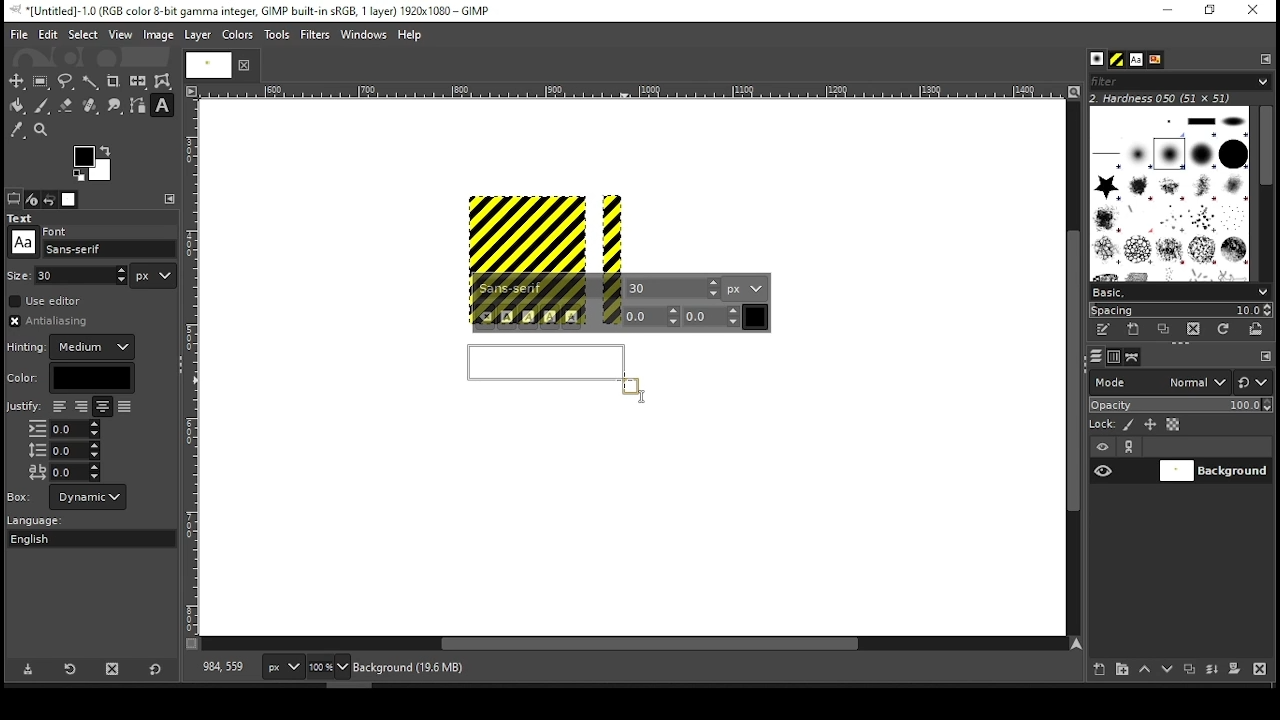 This screenshot has height=720, width=1280. Describe the element at coordinates (110, 249) in the screenshot. I see `font` at that location.